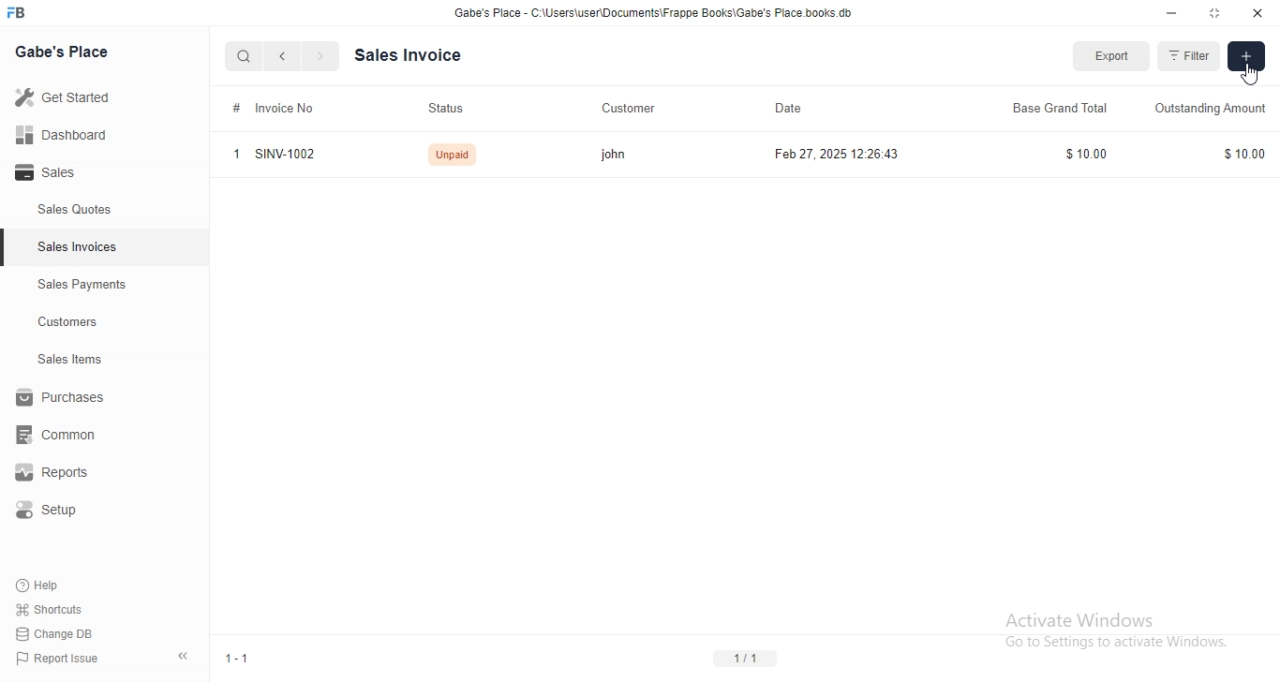  I want to click on john, so click(615, 154).